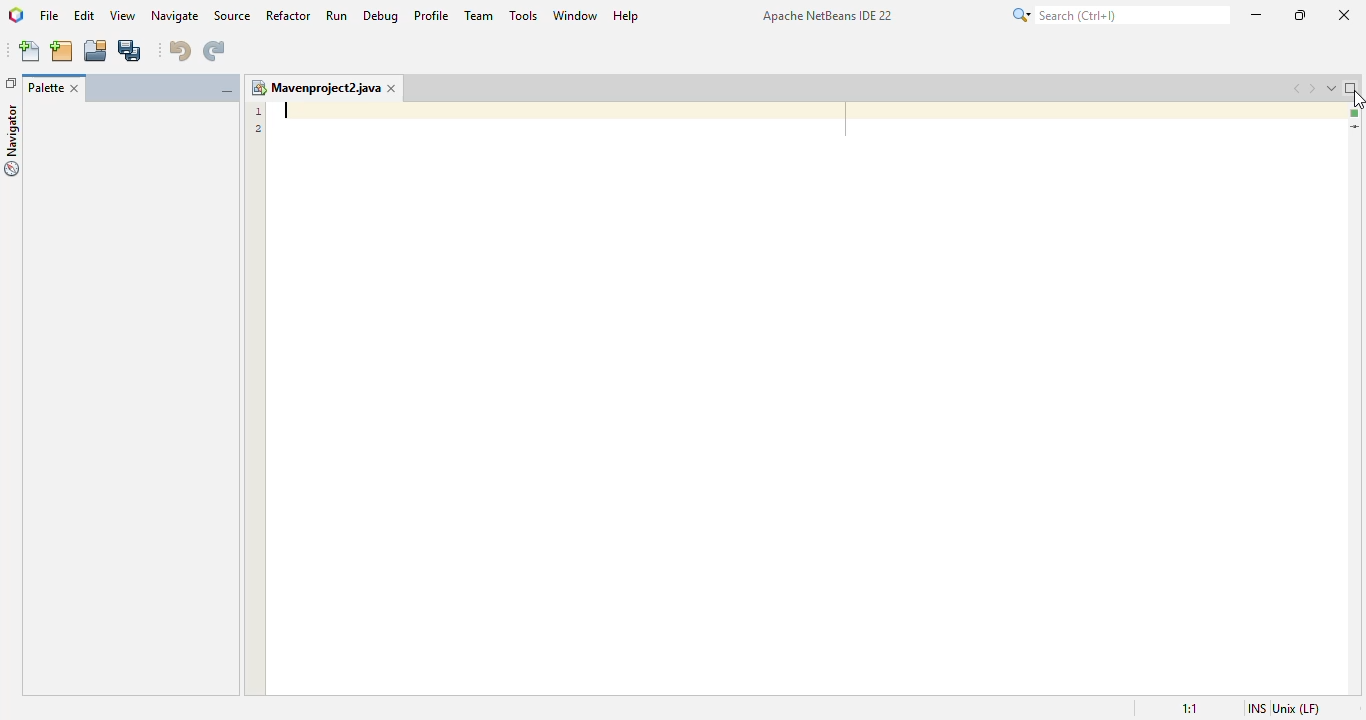  I want to click on run, so click(337, 15).